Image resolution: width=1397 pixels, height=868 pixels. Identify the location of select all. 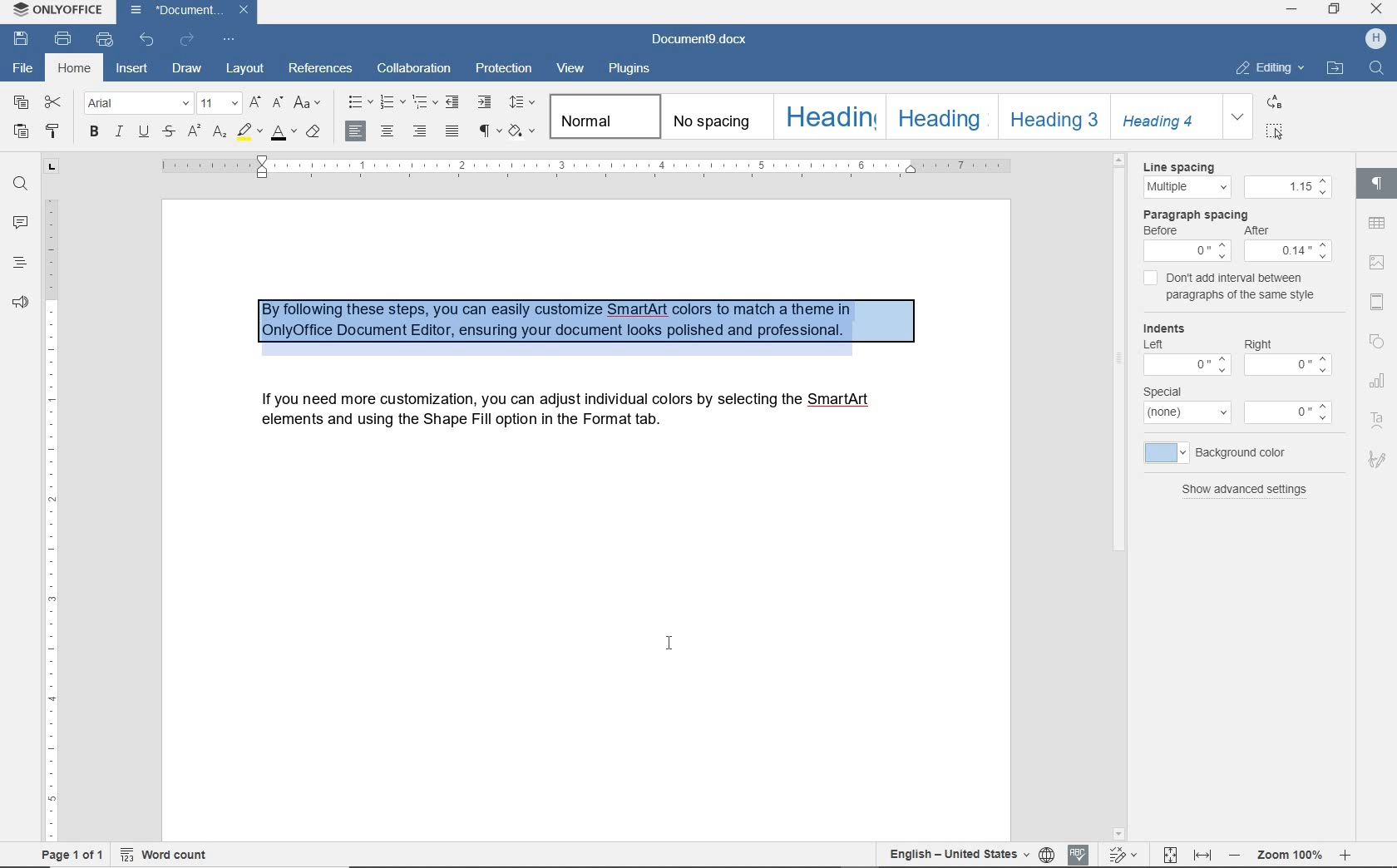
(1274, 133).